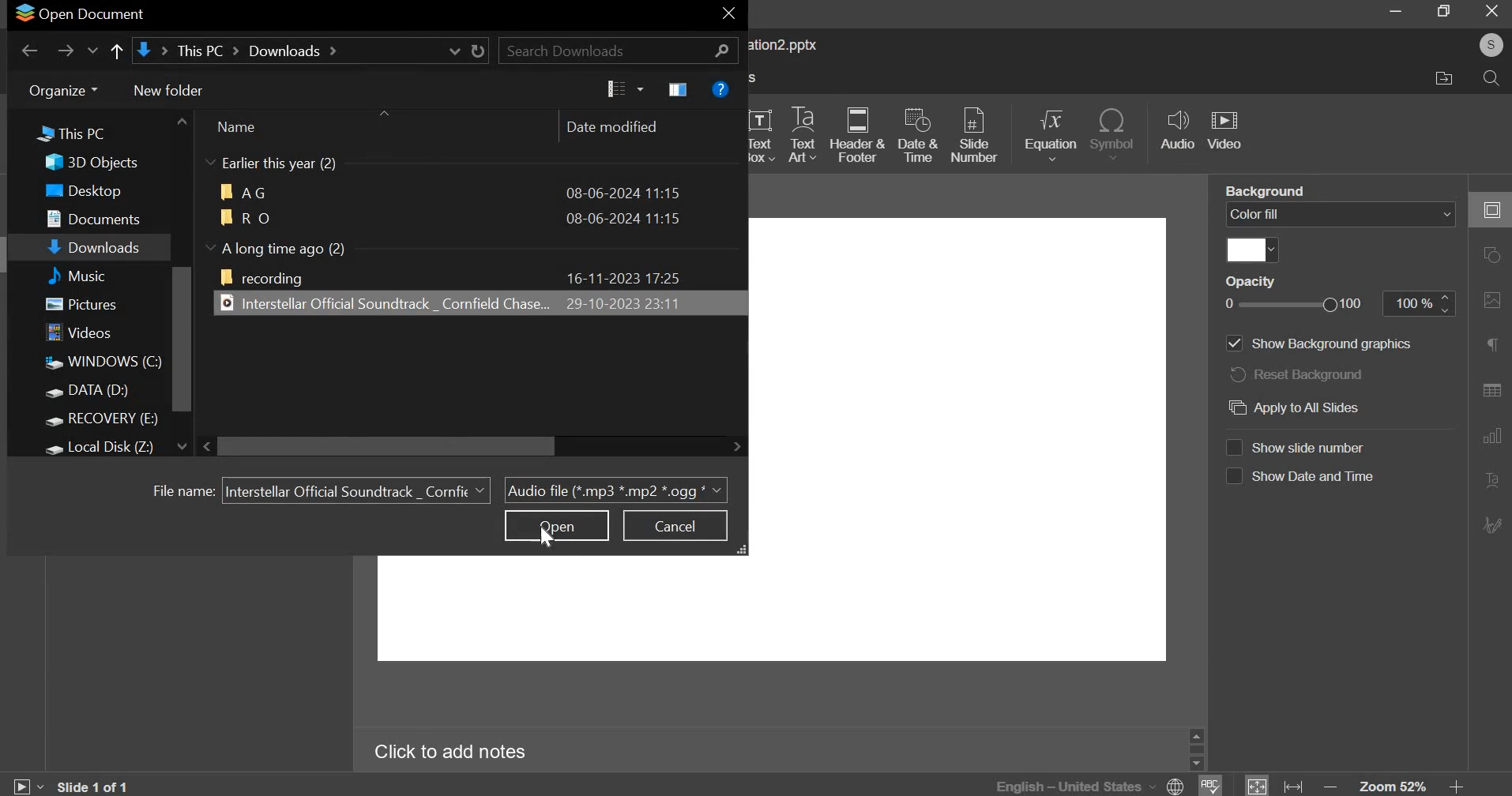 The width and height of the screenshot is (1512, 796). What do you see at coordinates (101, 449) in the screenshot?
I see `Local Disk (Z:)` at bounding box center [101, 449].